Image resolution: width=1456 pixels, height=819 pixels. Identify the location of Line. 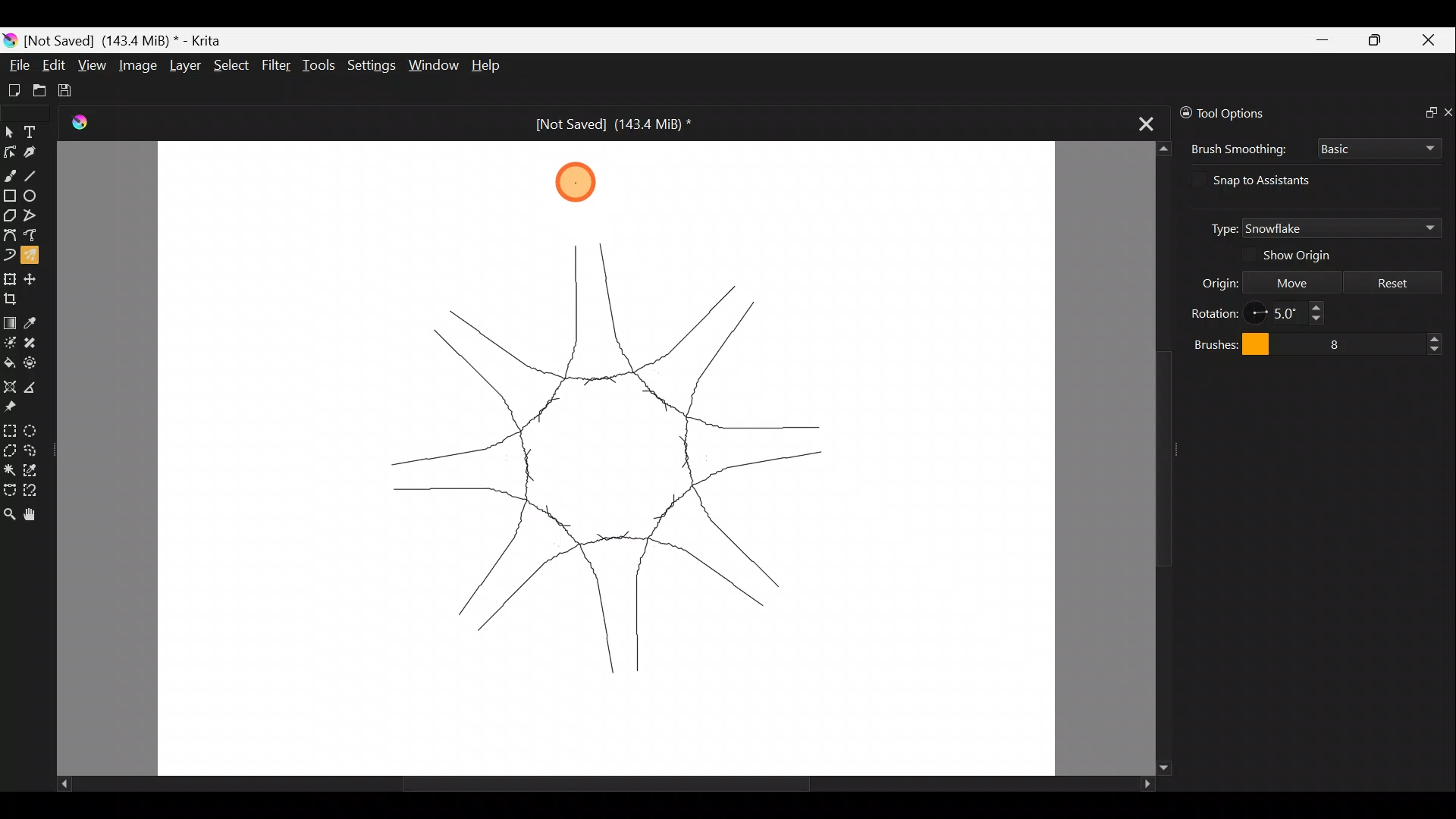
(33, 173).